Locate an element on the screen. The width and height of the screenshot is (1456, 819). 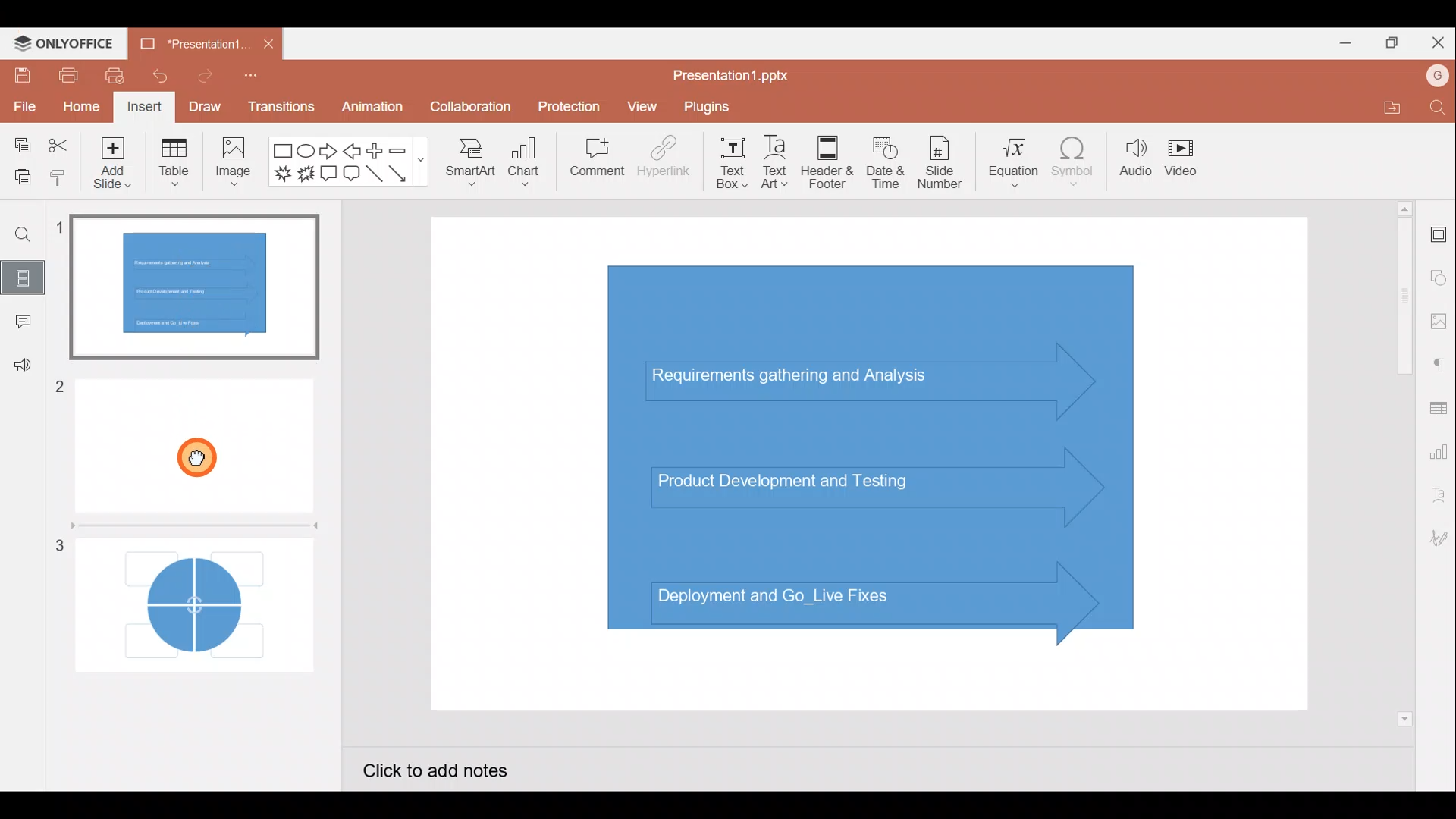
Rounded Rectangular callout is located at coordinates (351, 176).